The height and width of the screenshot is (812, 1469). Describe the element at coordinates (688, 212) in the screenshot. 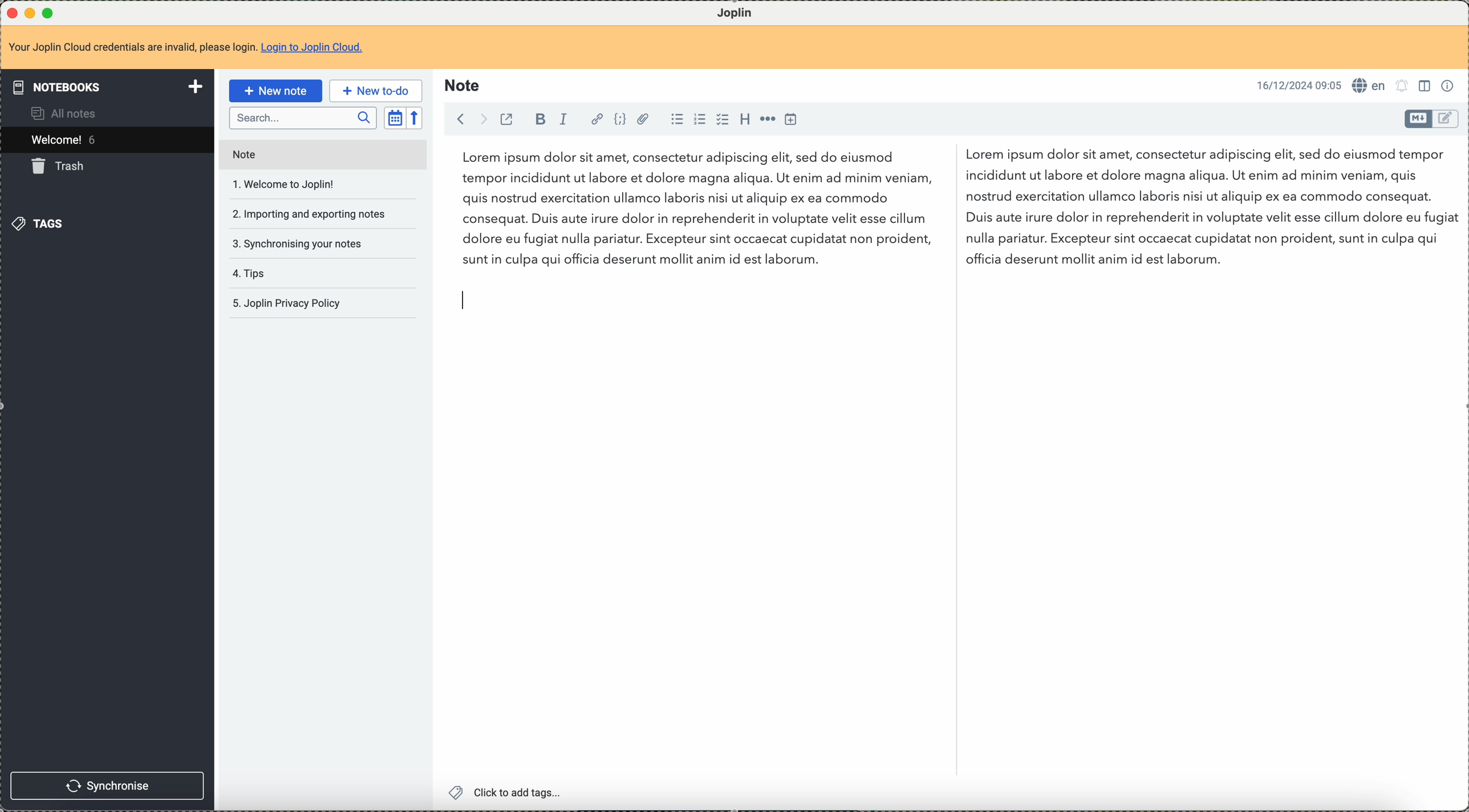

I see `Lorem ipsum dolor sit amet, consectetur...` at that location.